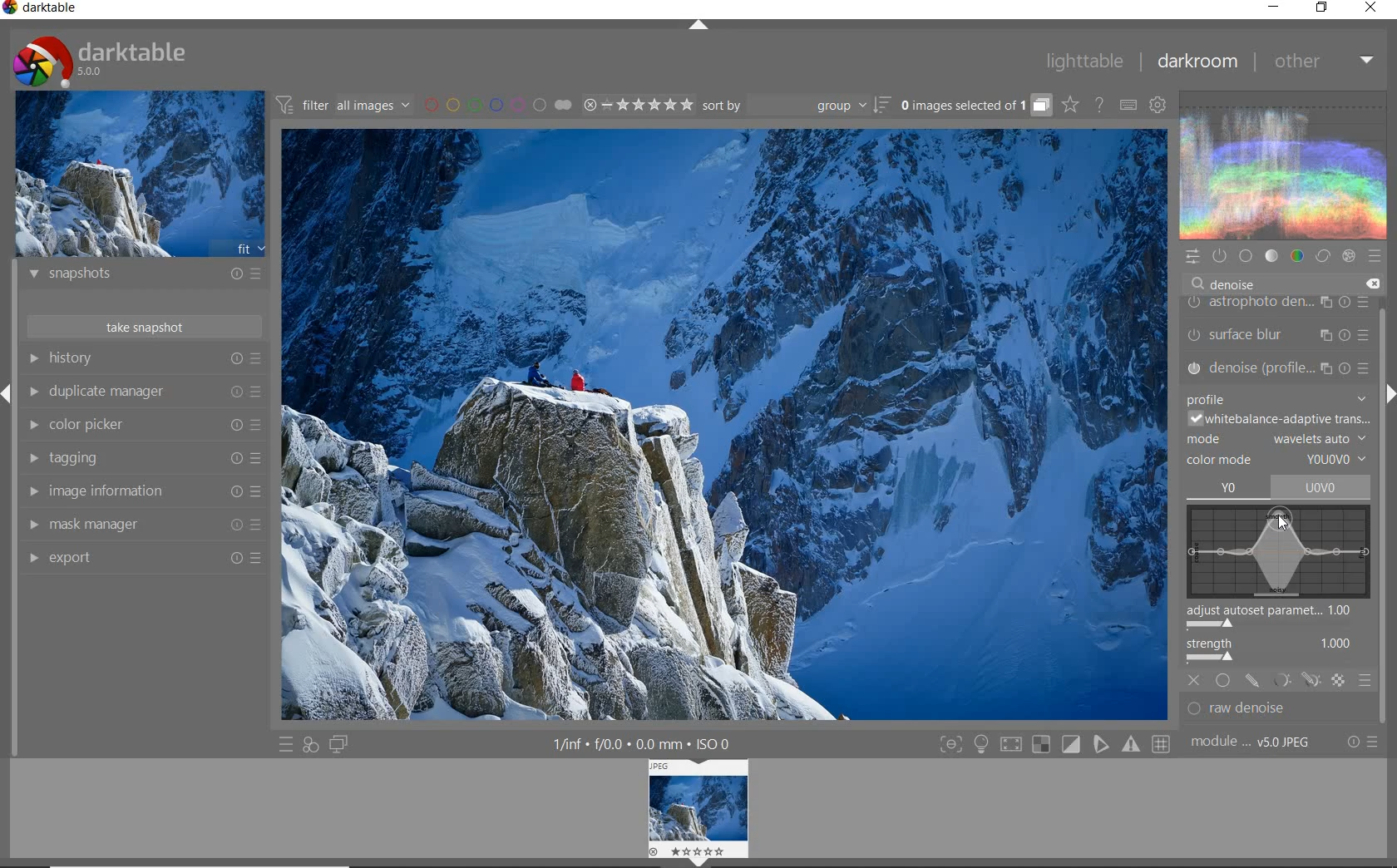 This screenshot has width=1397, height=868. What do you see at coordinates (1277, 437) in the screenshot?
I see `MODE` at bounding box center [1277, 437].